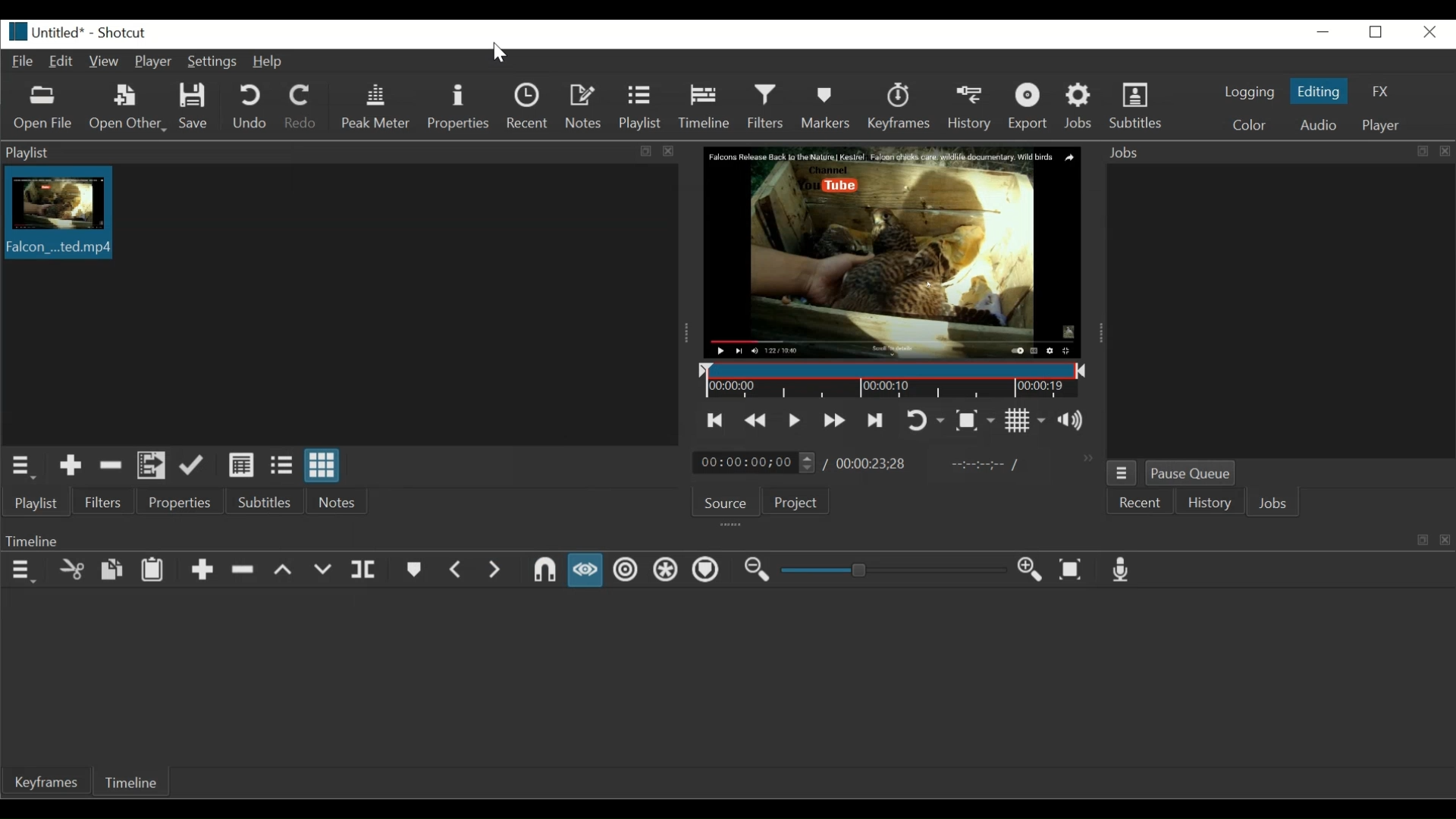 This screenshot has width=1456, height=819. What do you see at coordinates (757, 419) in the screenshot?
I see `Play quickly backward` at bounding box center [757, 419].